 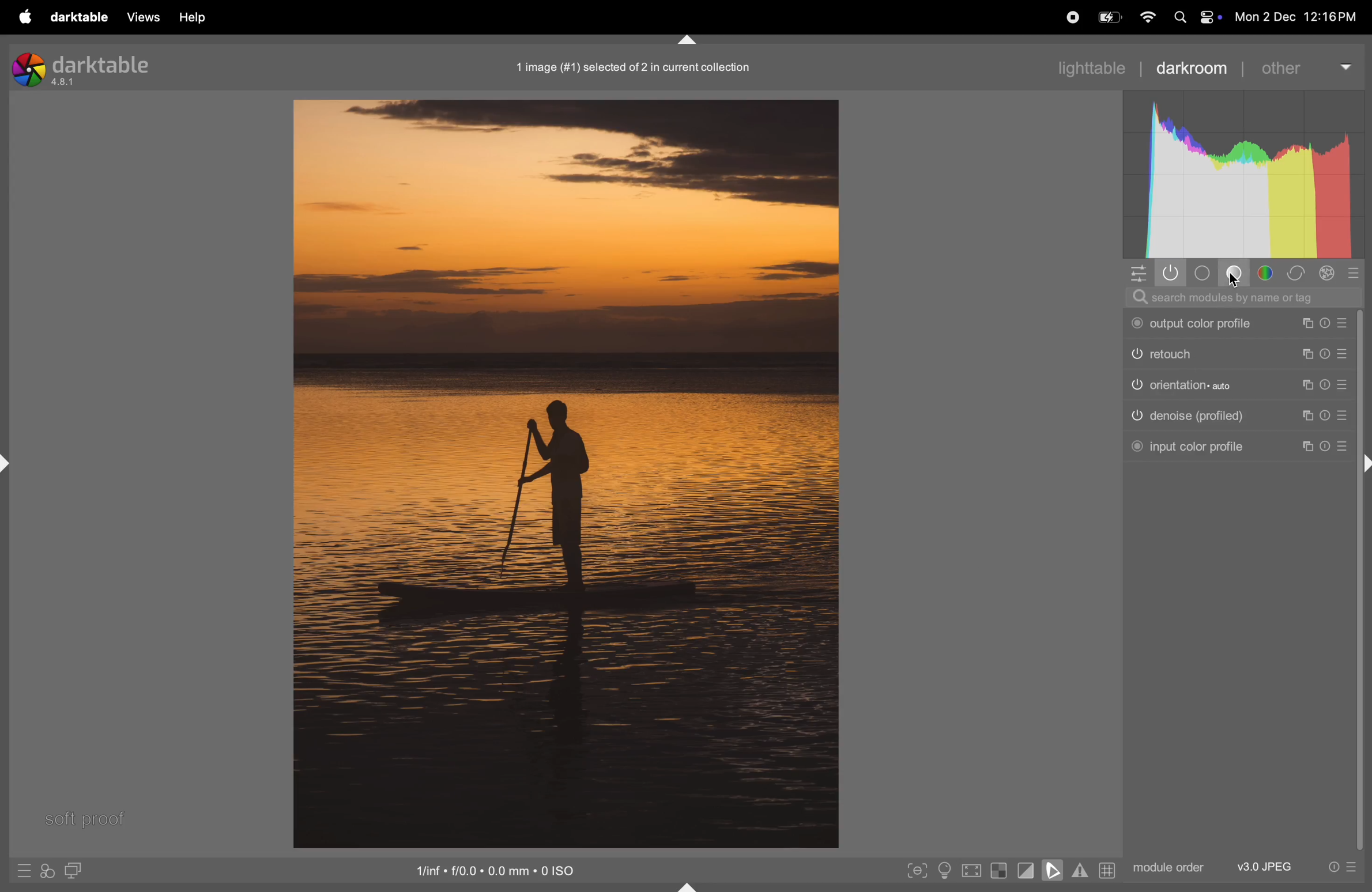 What do you see at coordinates (1301, 18) in the screenshot?
I see `date and time` at bounding box center [1301, 18].